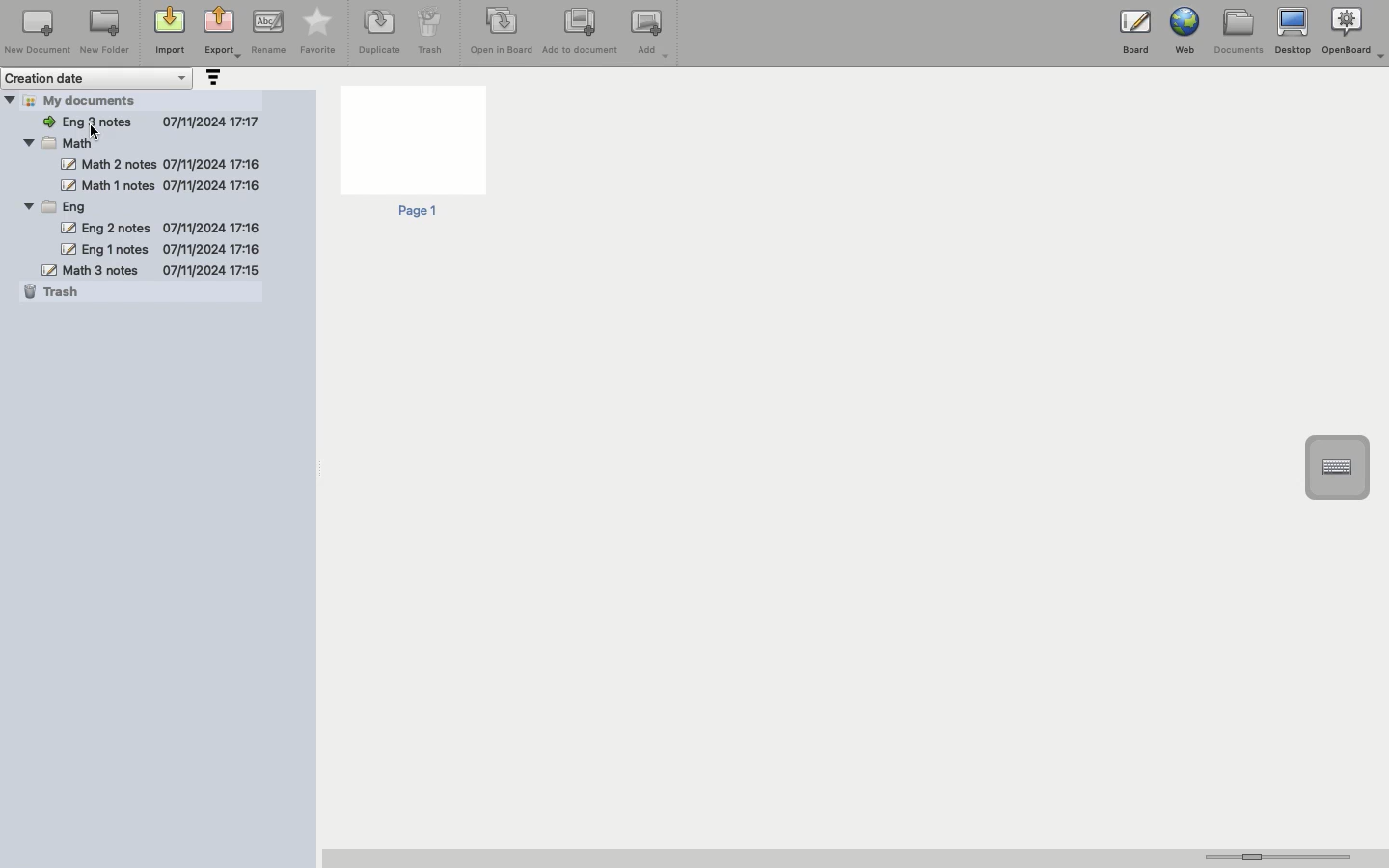  I want to click on Ad, so click(652, 34).